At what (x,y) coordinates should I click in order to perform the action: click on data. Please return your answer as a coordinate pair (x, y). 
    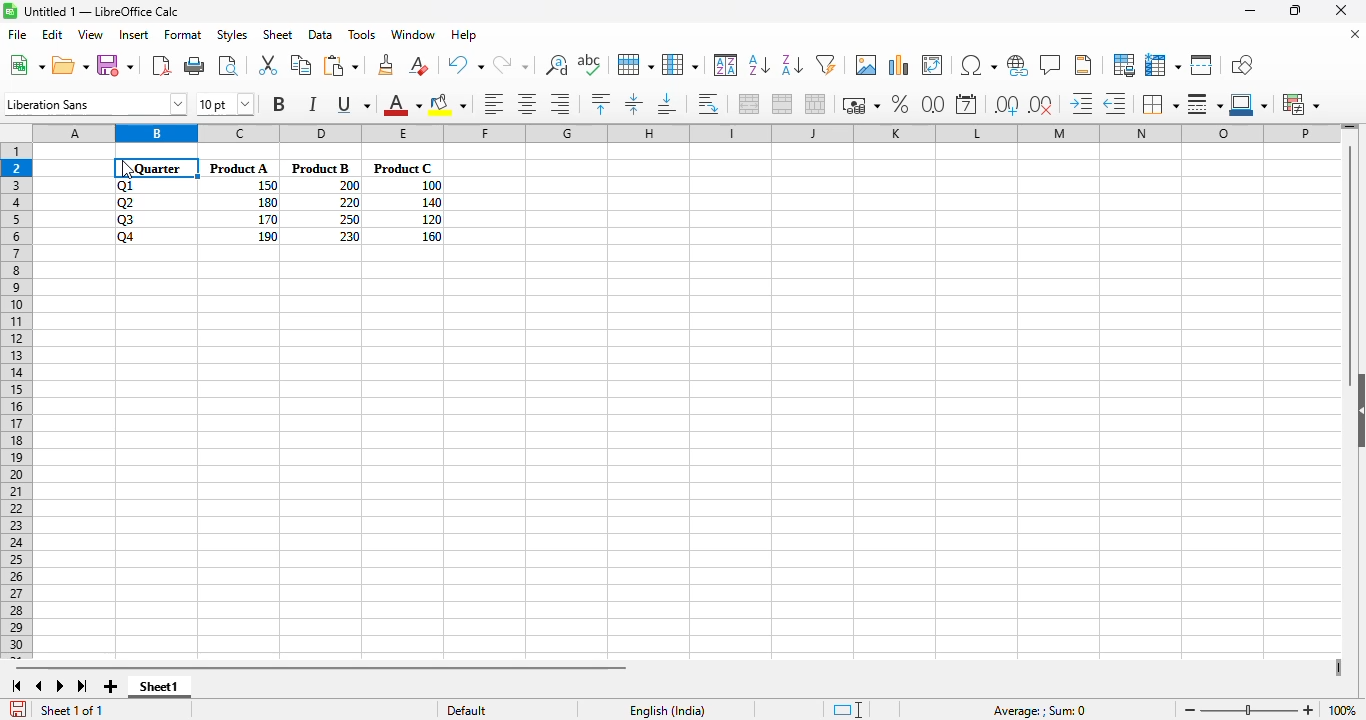
    Looking at the image, I should click on (320, 34).